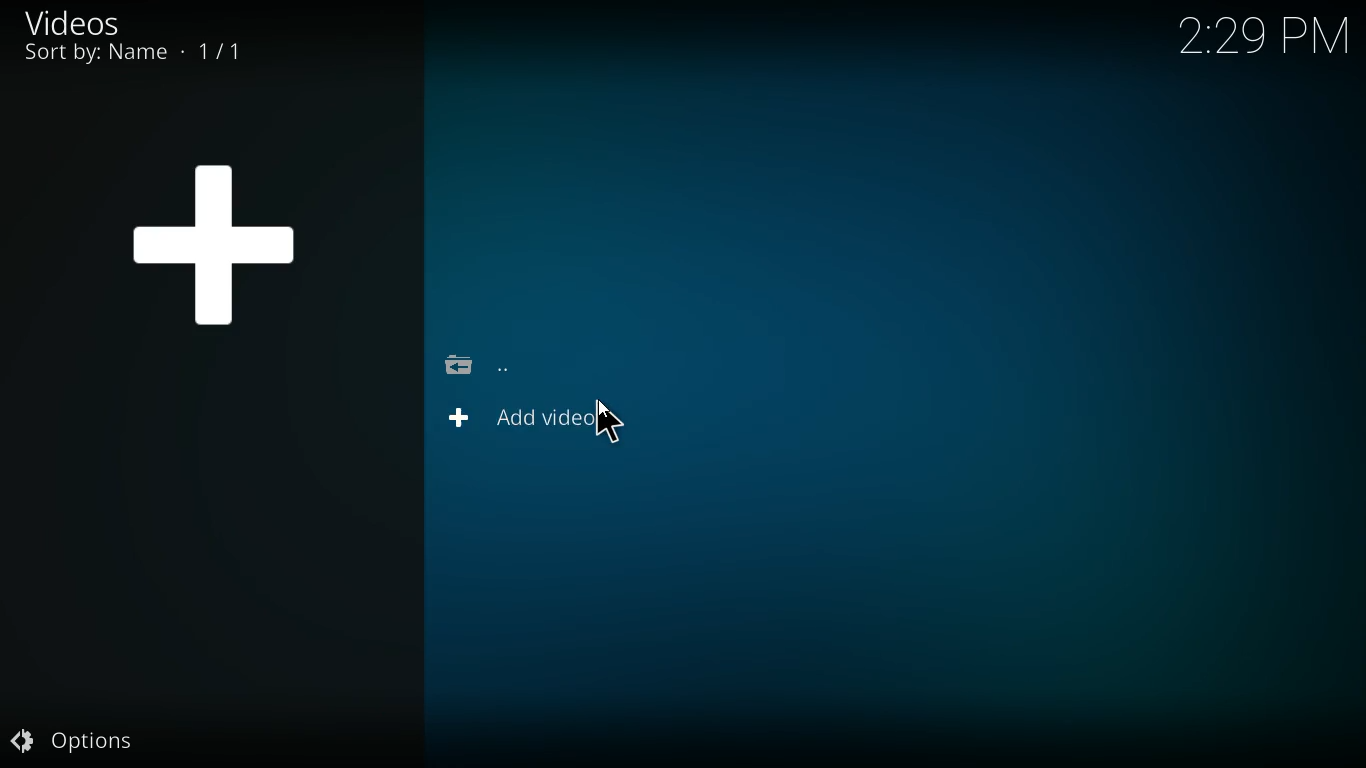  Describe the element at coordinates (602, 421) in the screenshot. I see `Cursor` at that location.